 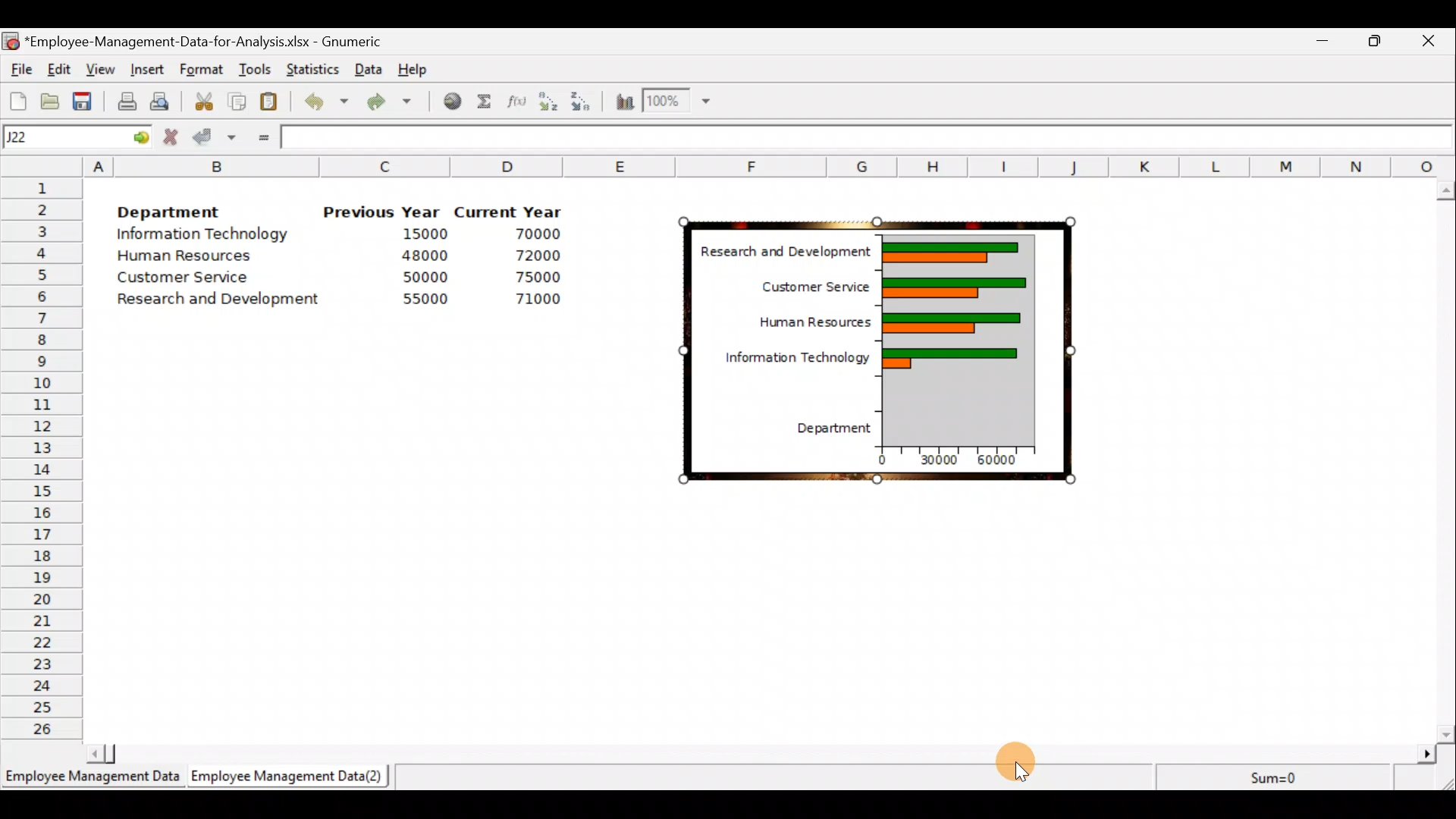 I want to click on Department, so click(x=180, y=212).